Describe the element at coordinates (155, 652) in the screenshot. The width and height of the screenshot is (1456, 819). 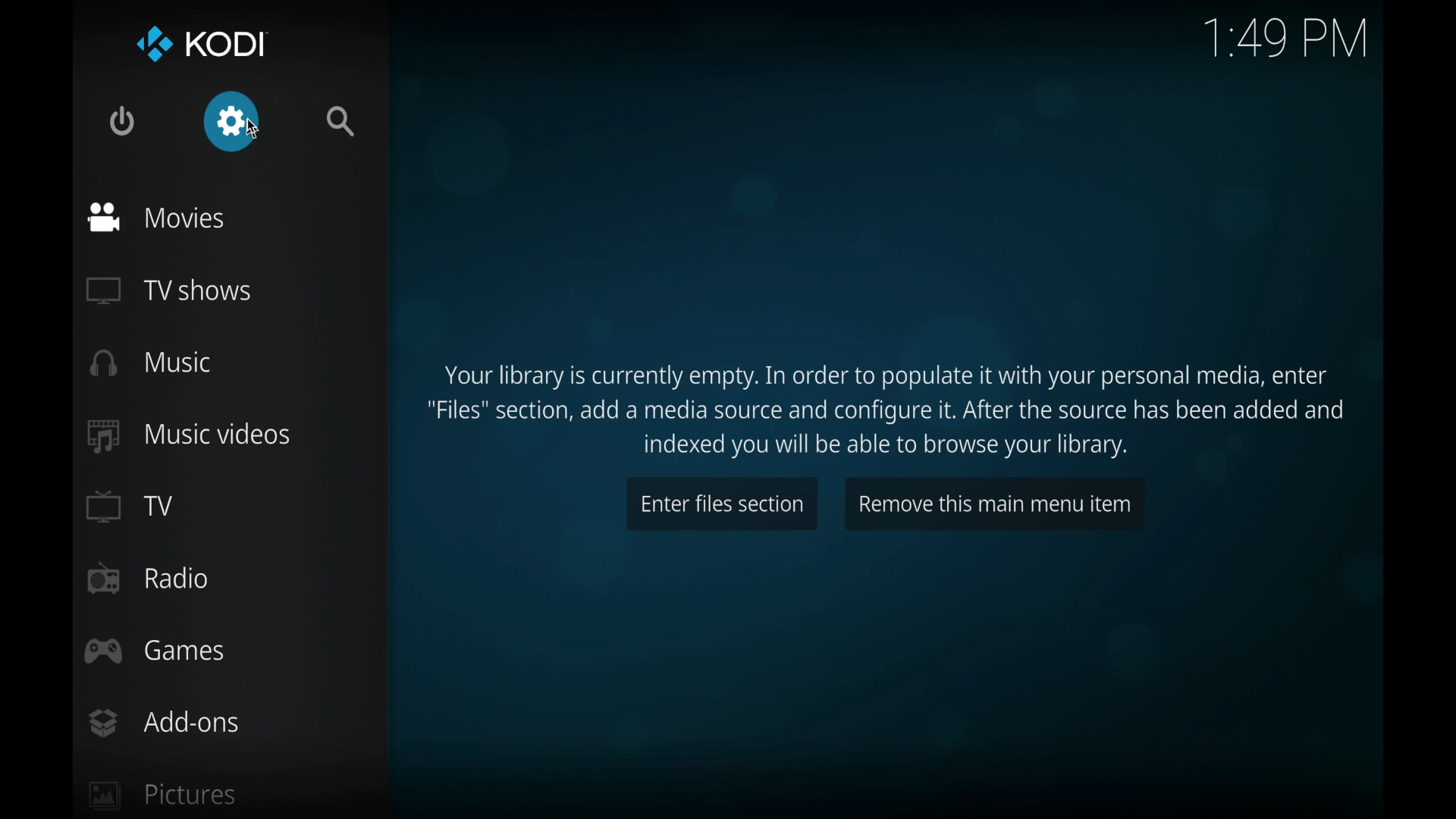
I see `games` at that location.